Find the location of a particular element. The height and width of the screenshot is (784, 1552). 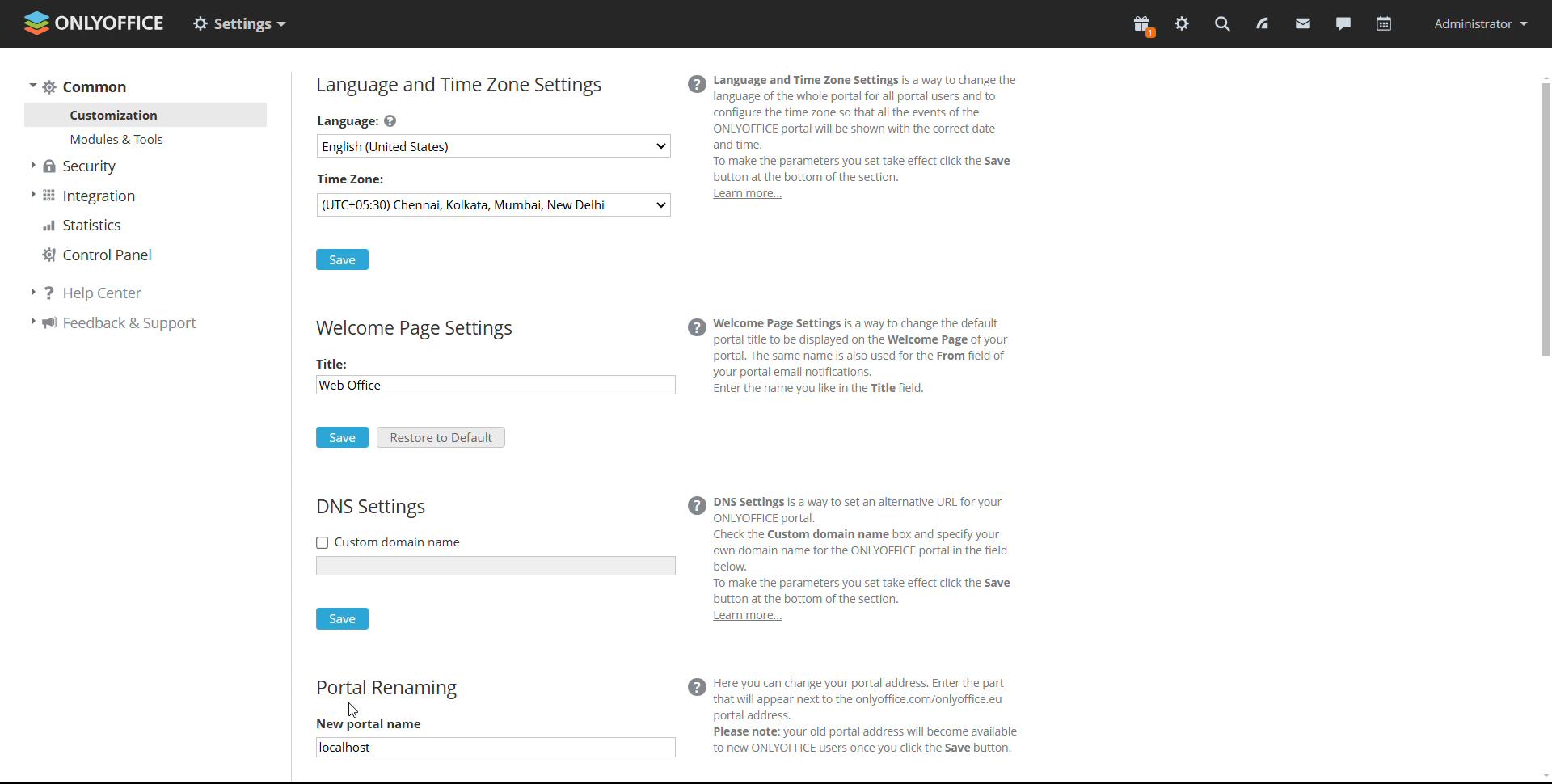

profile is located at coordinates (1478, 23).